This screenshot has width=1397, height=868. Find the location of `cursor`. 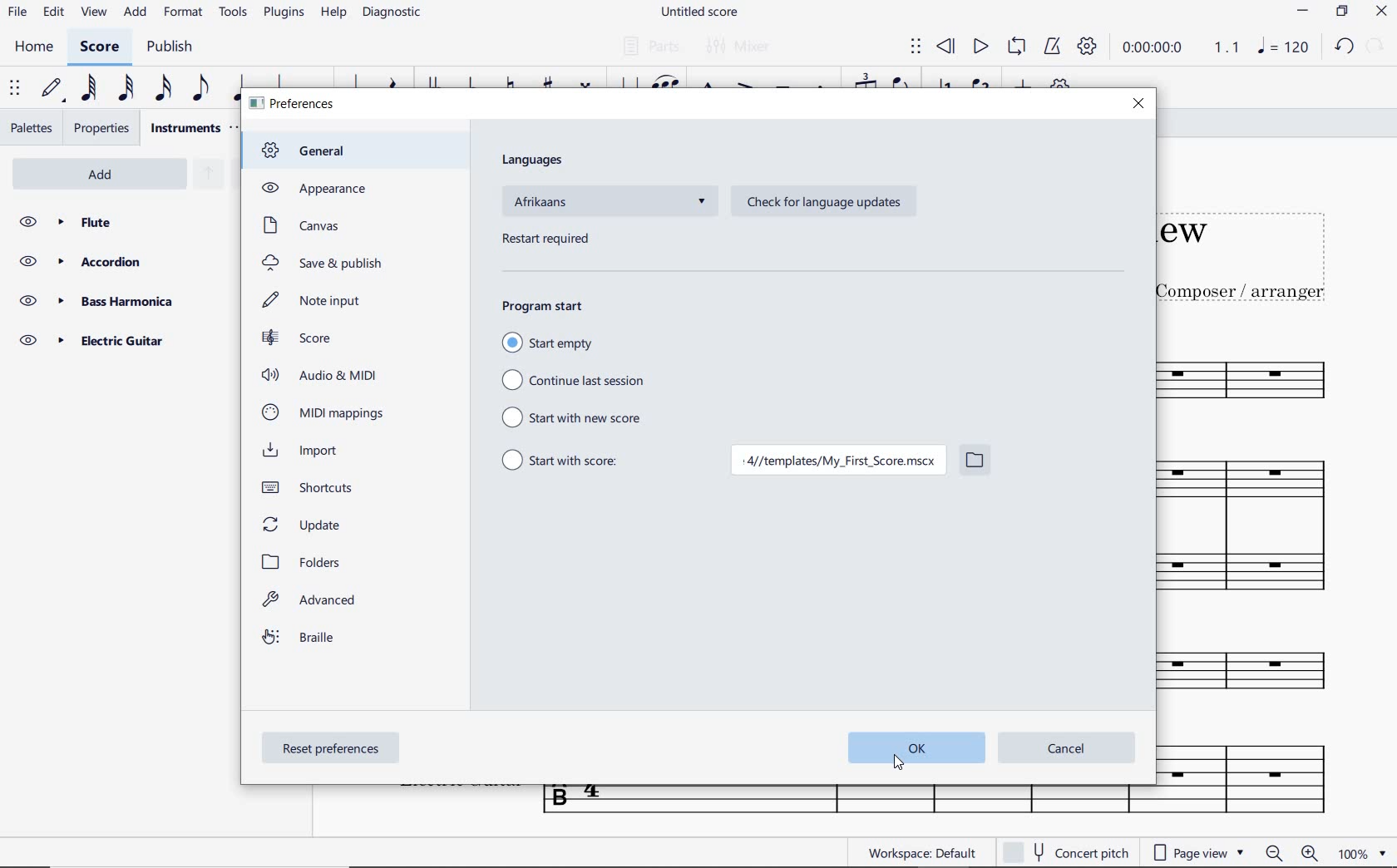

cursor is located at coordinates (896, 762).